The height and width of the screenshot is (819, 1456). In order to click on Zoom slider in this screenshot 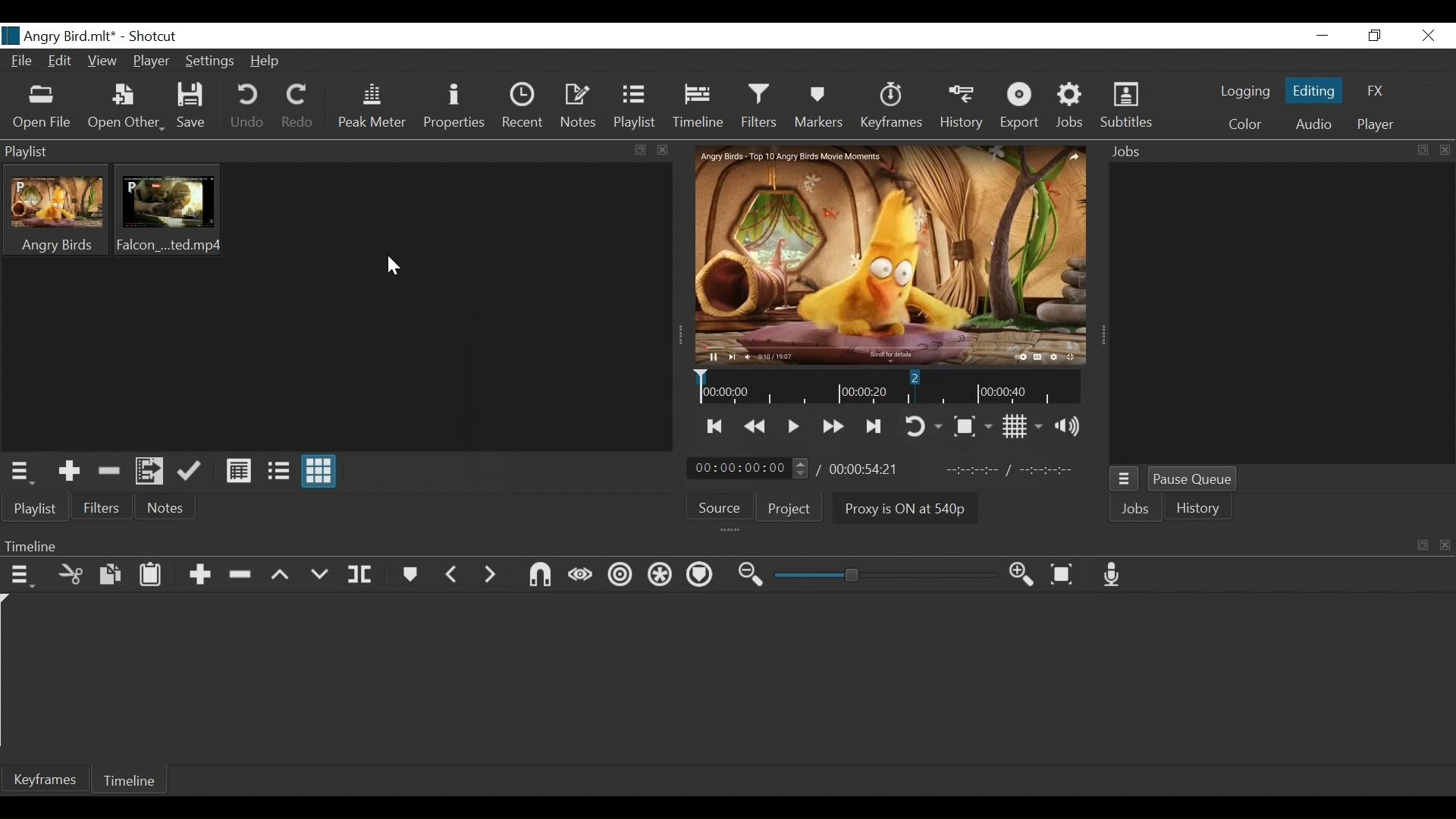, I will do `click(879, 576)`.